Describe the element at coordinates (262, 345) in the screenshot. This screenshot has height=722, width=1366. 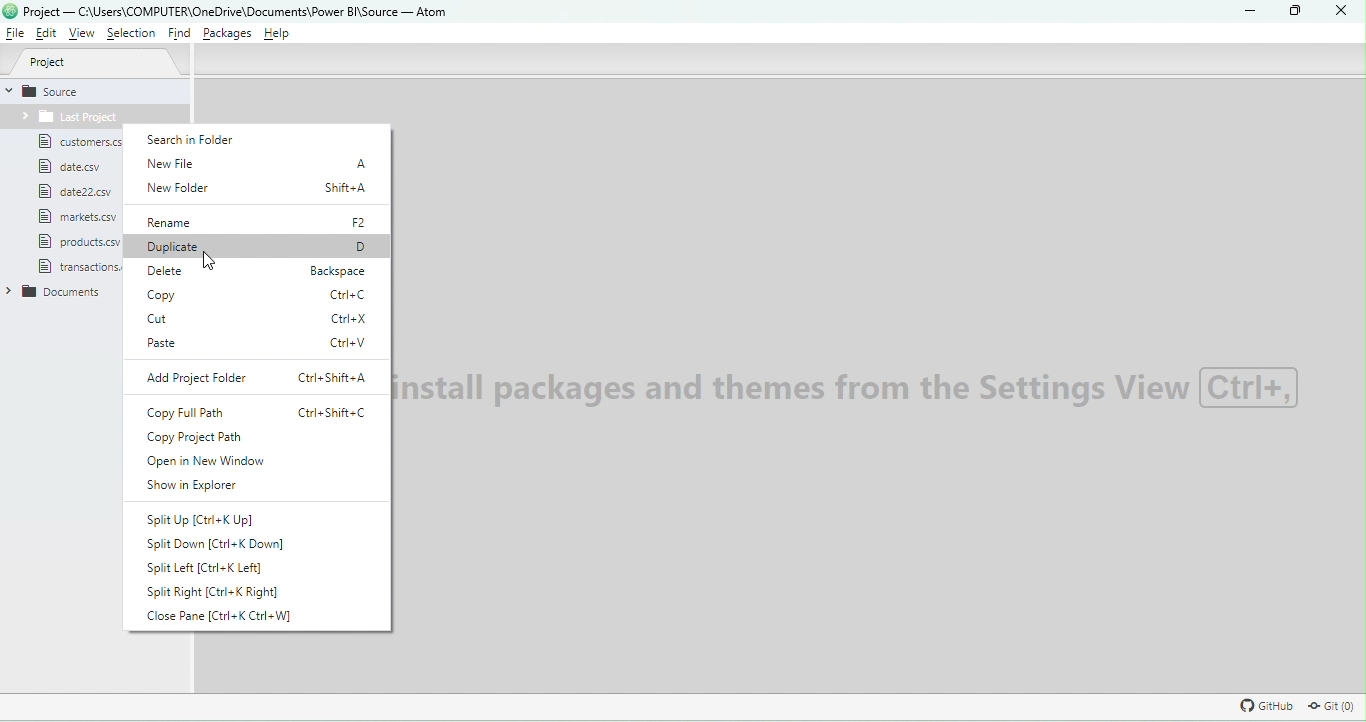
I see `Paste` at that location.